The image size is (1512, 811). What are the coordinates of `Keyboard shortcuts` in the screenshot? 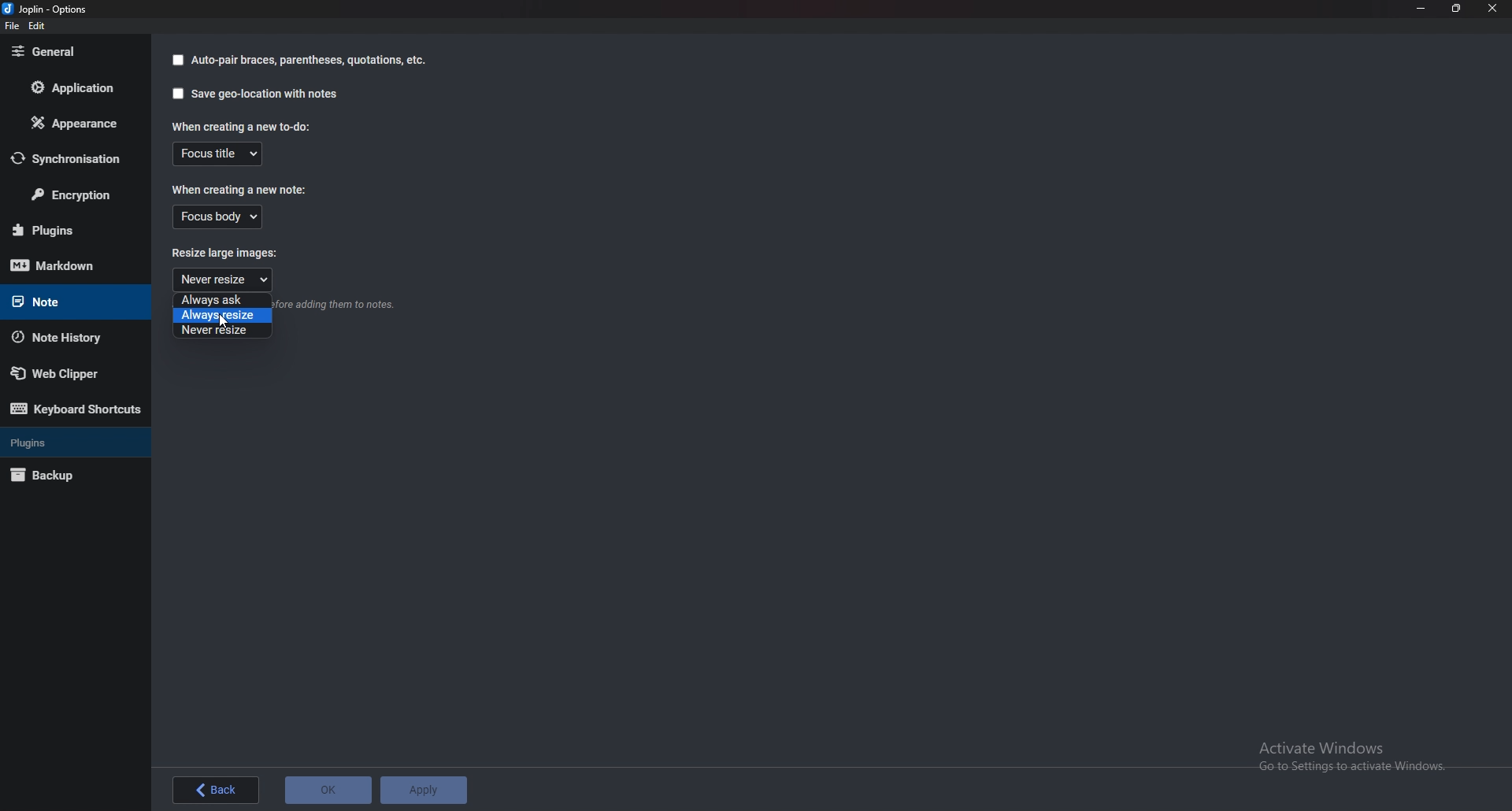 It's located at (76, 409).